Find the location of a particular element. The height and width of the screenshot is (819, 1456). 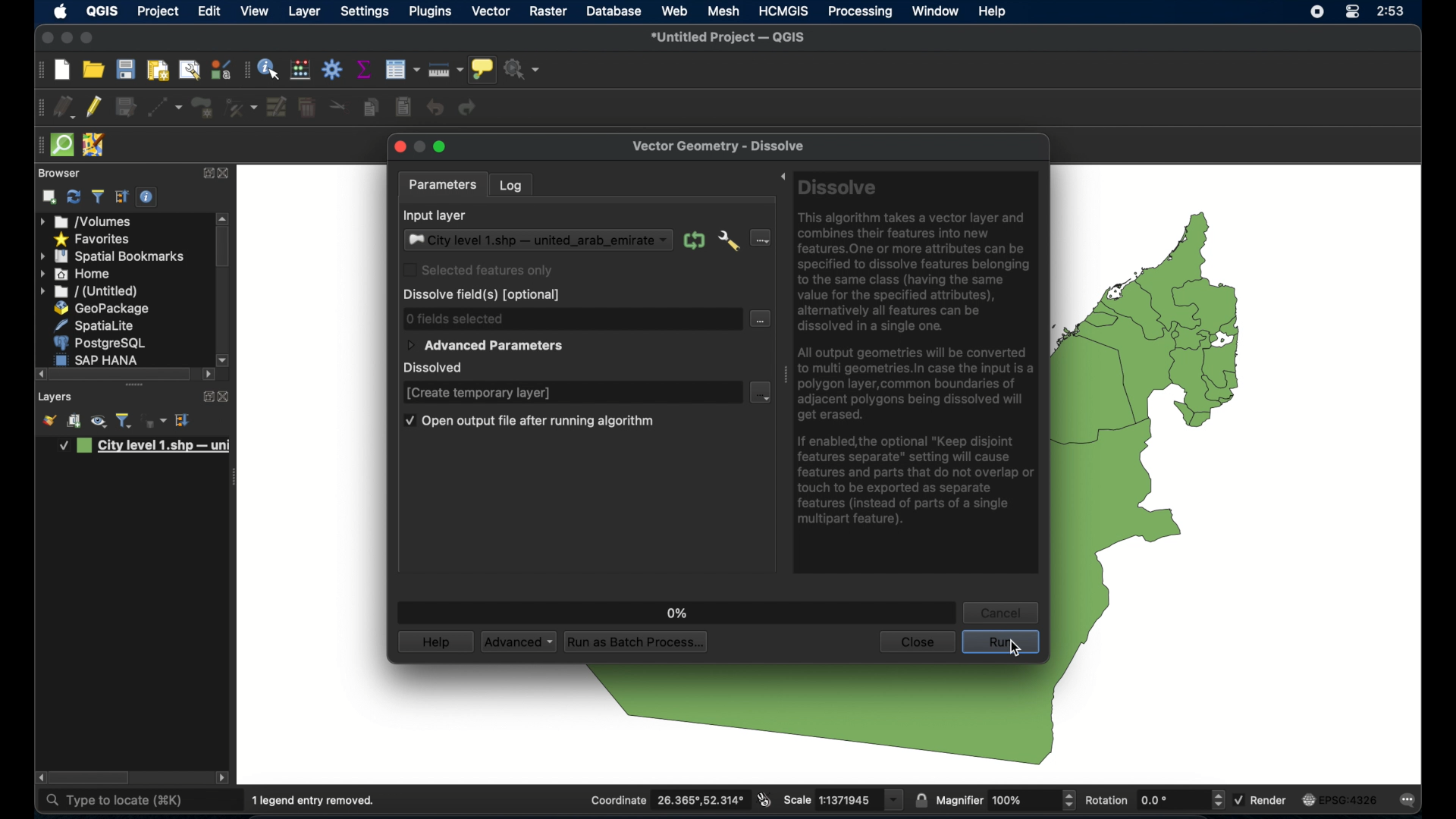

dissolve tool info is located at coordinates (919, 356).